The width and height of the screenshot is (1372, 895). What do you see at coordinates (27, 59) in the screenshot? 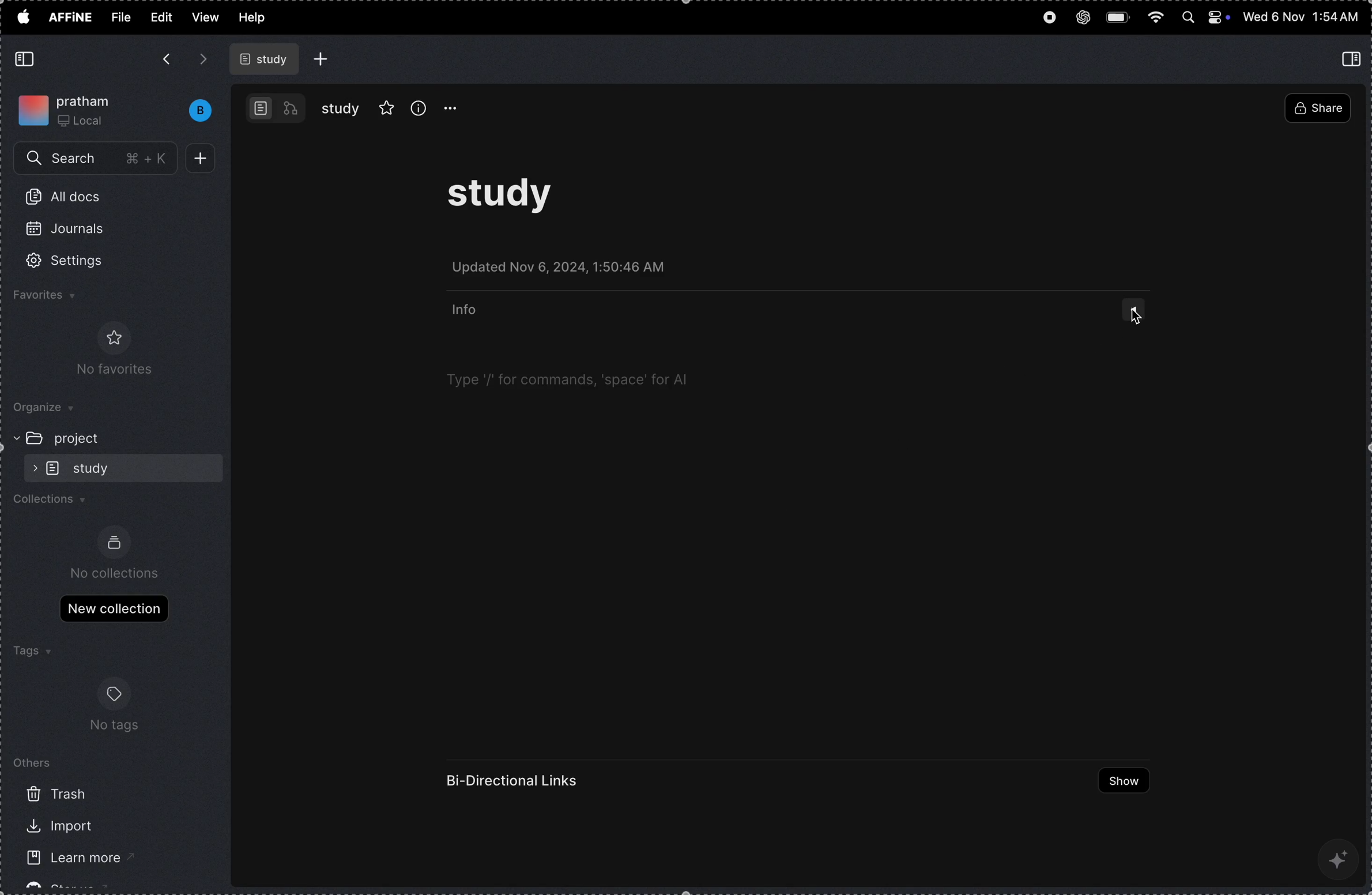
I see `collapse side bar` at bounding box center [27, 59].